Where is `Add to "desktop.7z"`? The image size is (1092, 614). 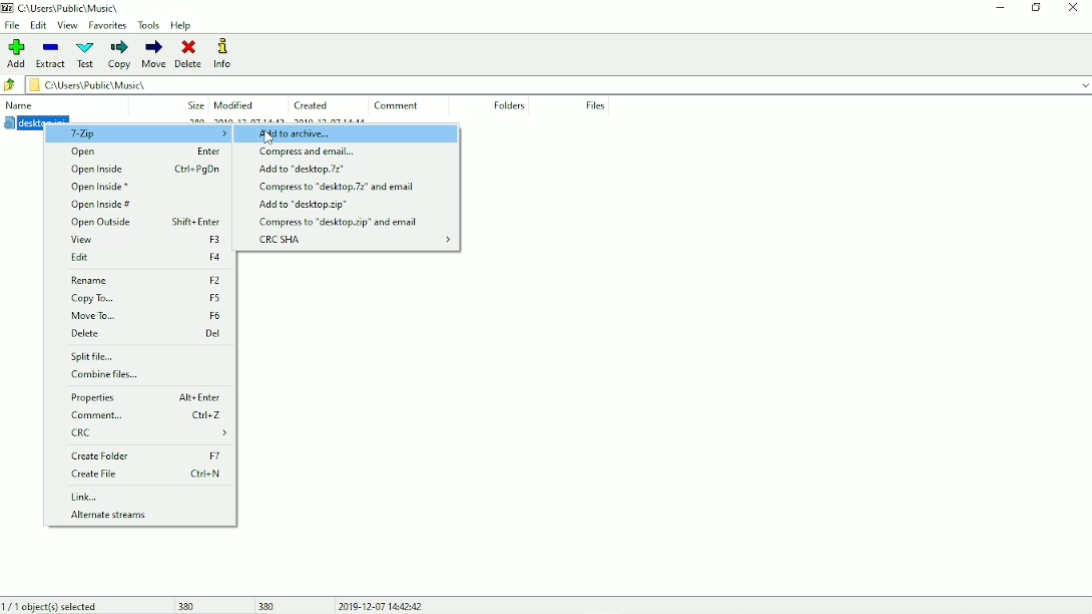 Add to "desktop.7z" is located at coordinates (304, 171).